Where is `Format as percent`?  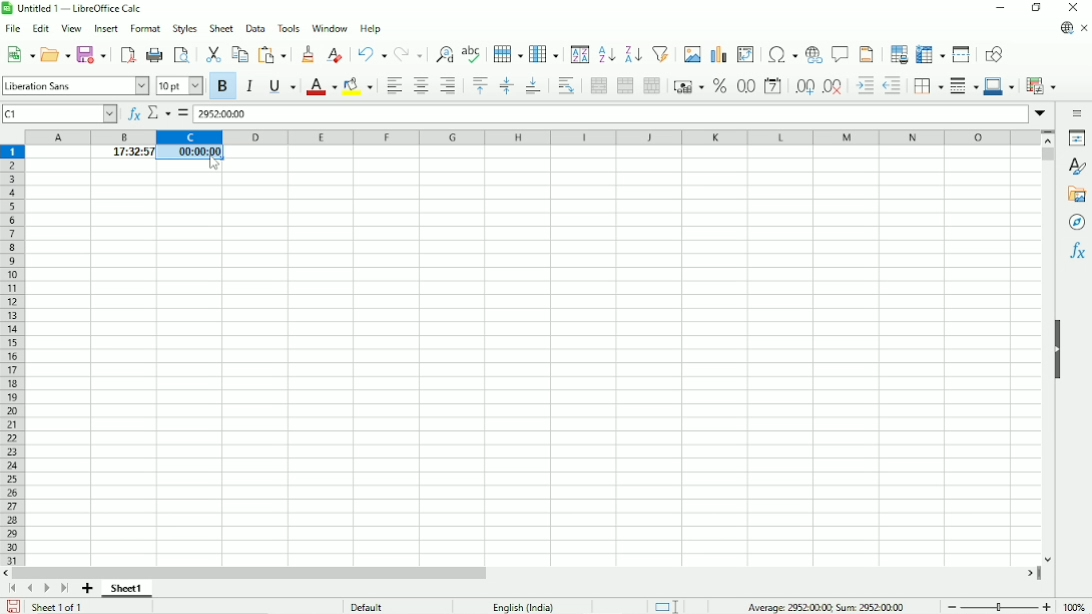
Format as percent is located at coordinates (719, 87).